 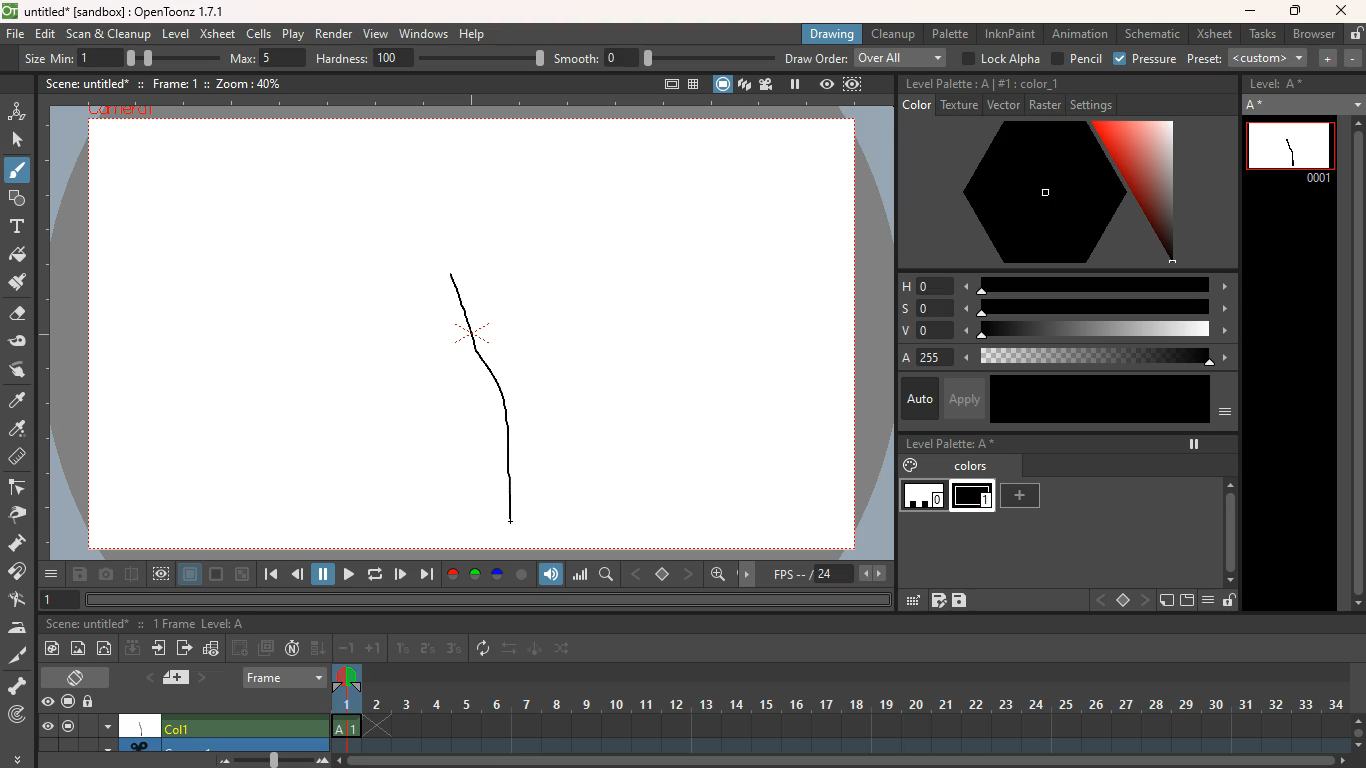 I want to click on graph, so click(x=212, y=648).